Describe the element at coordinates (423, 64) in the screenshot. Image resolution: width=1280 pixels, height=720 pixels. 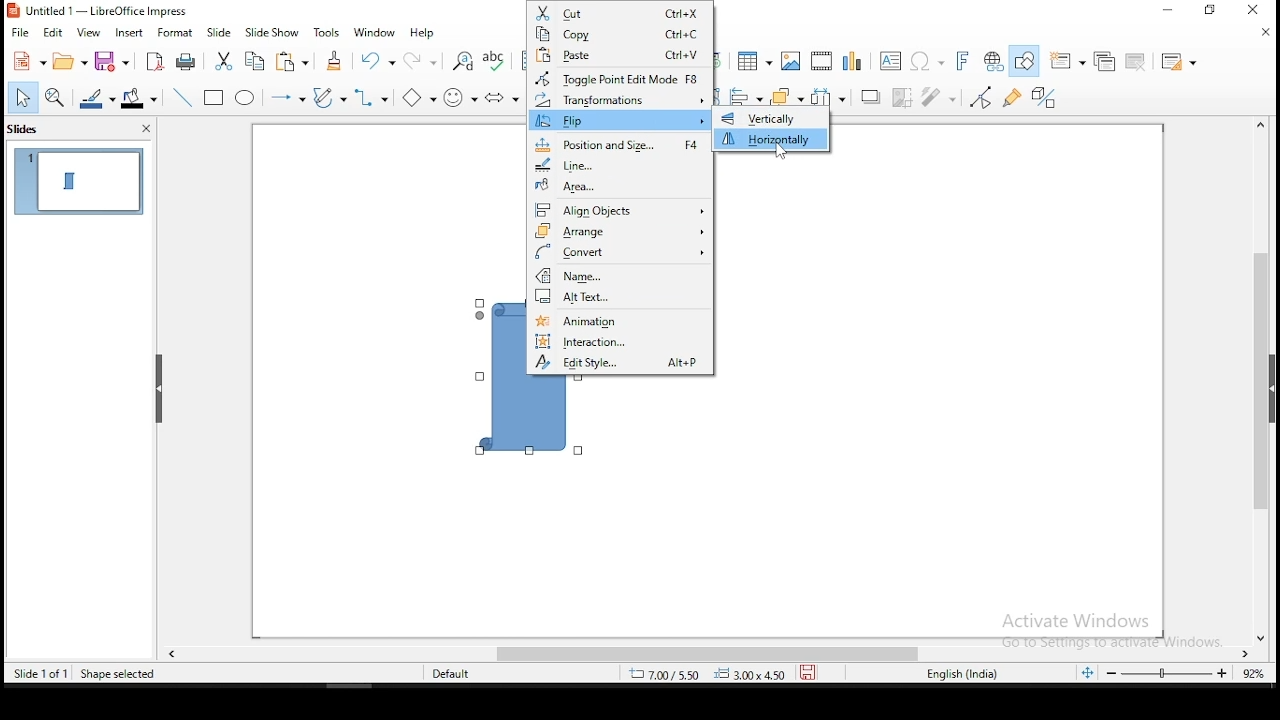
I see `redo` at that location.